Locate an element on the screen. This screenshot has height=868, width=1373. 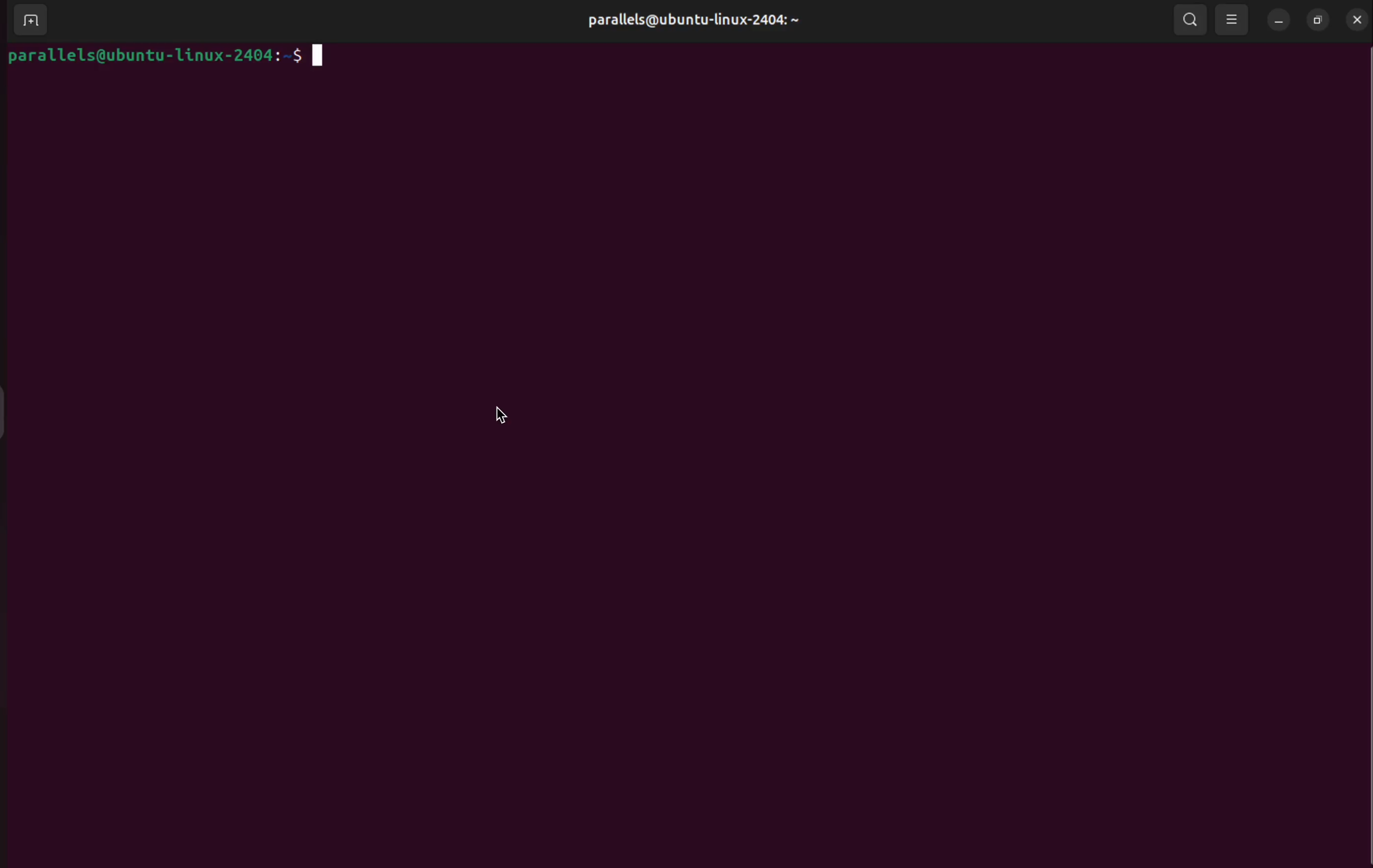
cursor is located at coordinates (505, 414).